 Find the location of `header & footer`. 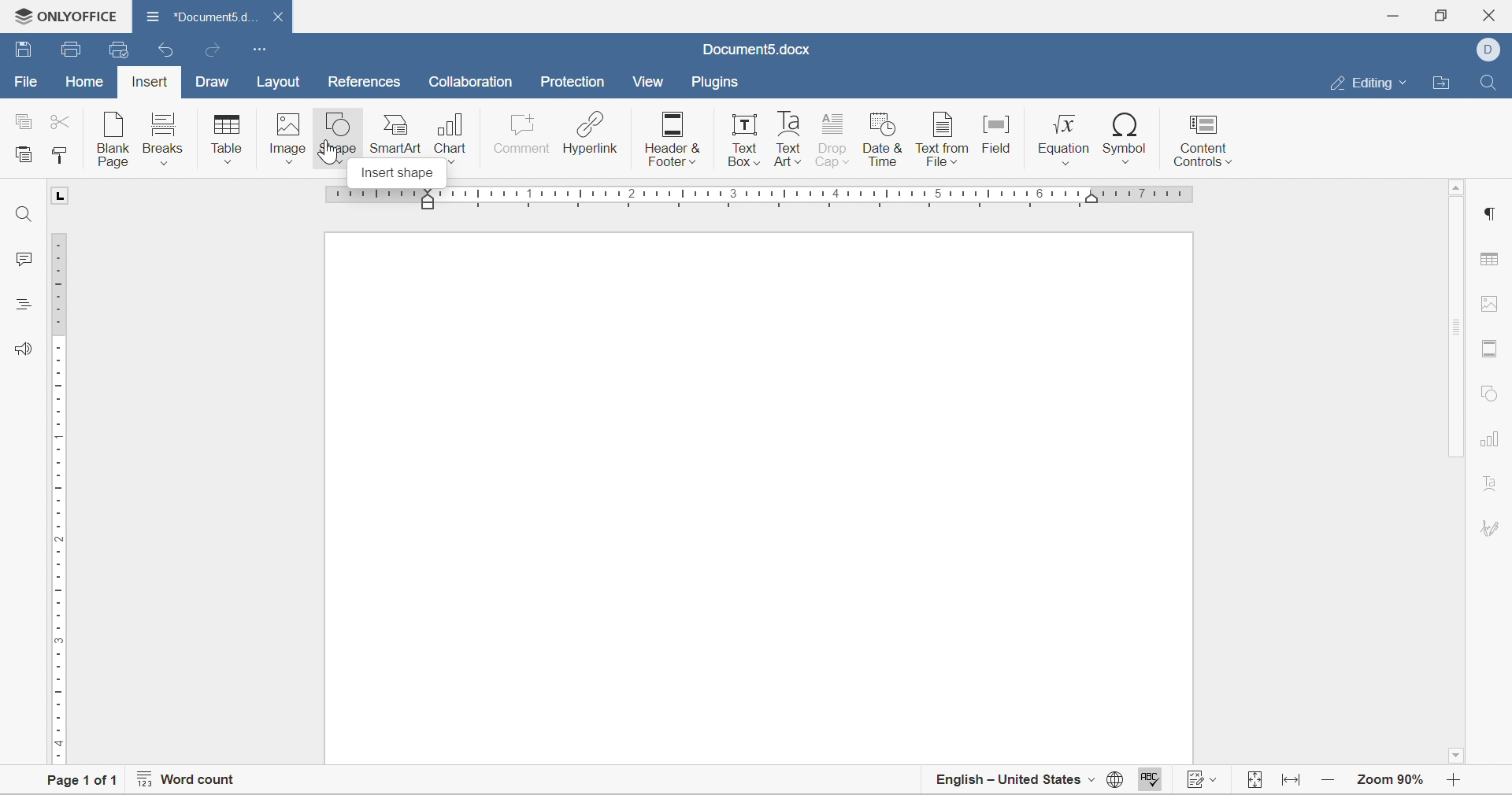

header & footer is located at coordinates (674, 139).